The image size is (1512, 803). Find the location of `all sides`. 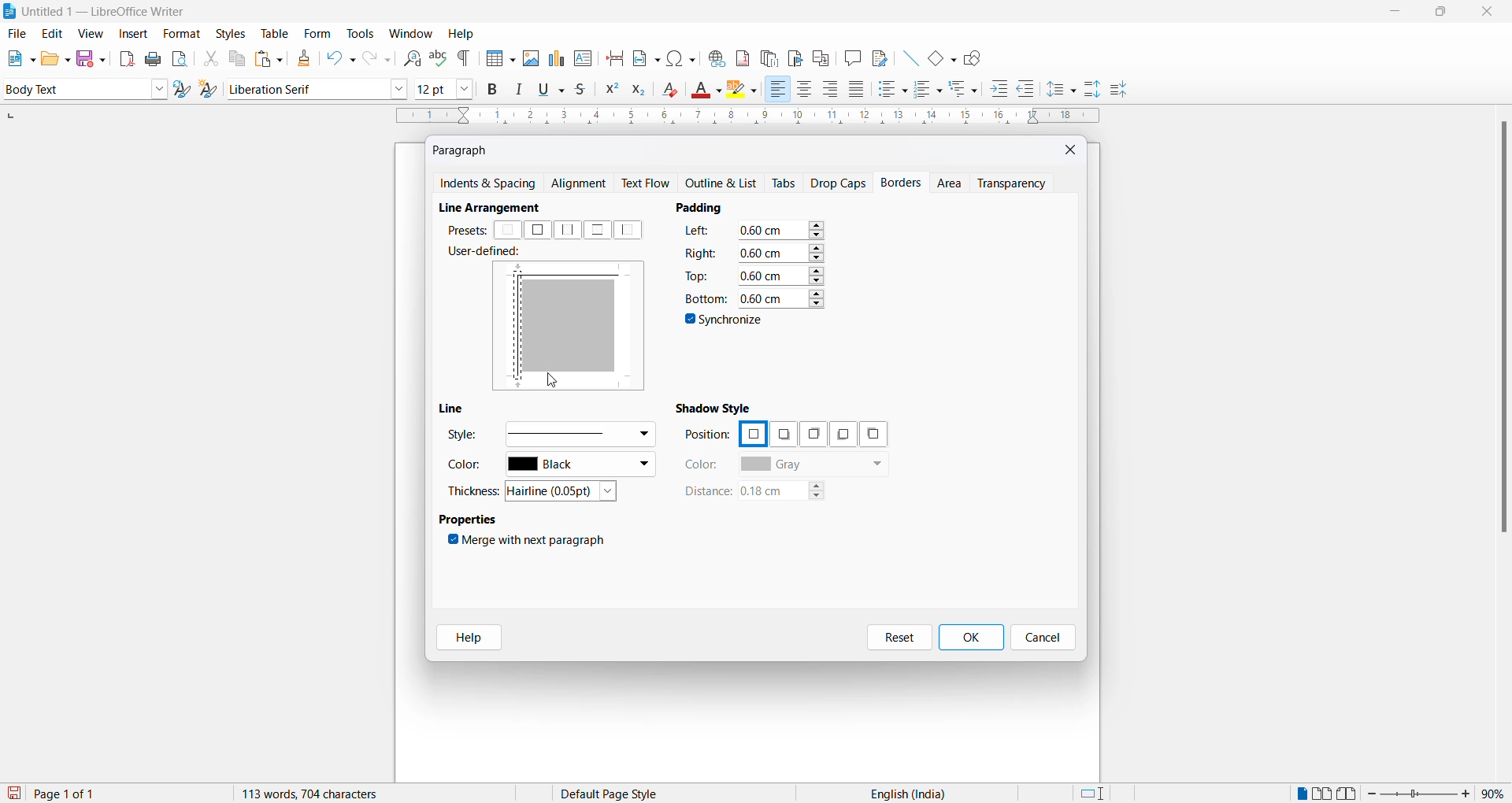

all sides is located at coordinates (537, 230).